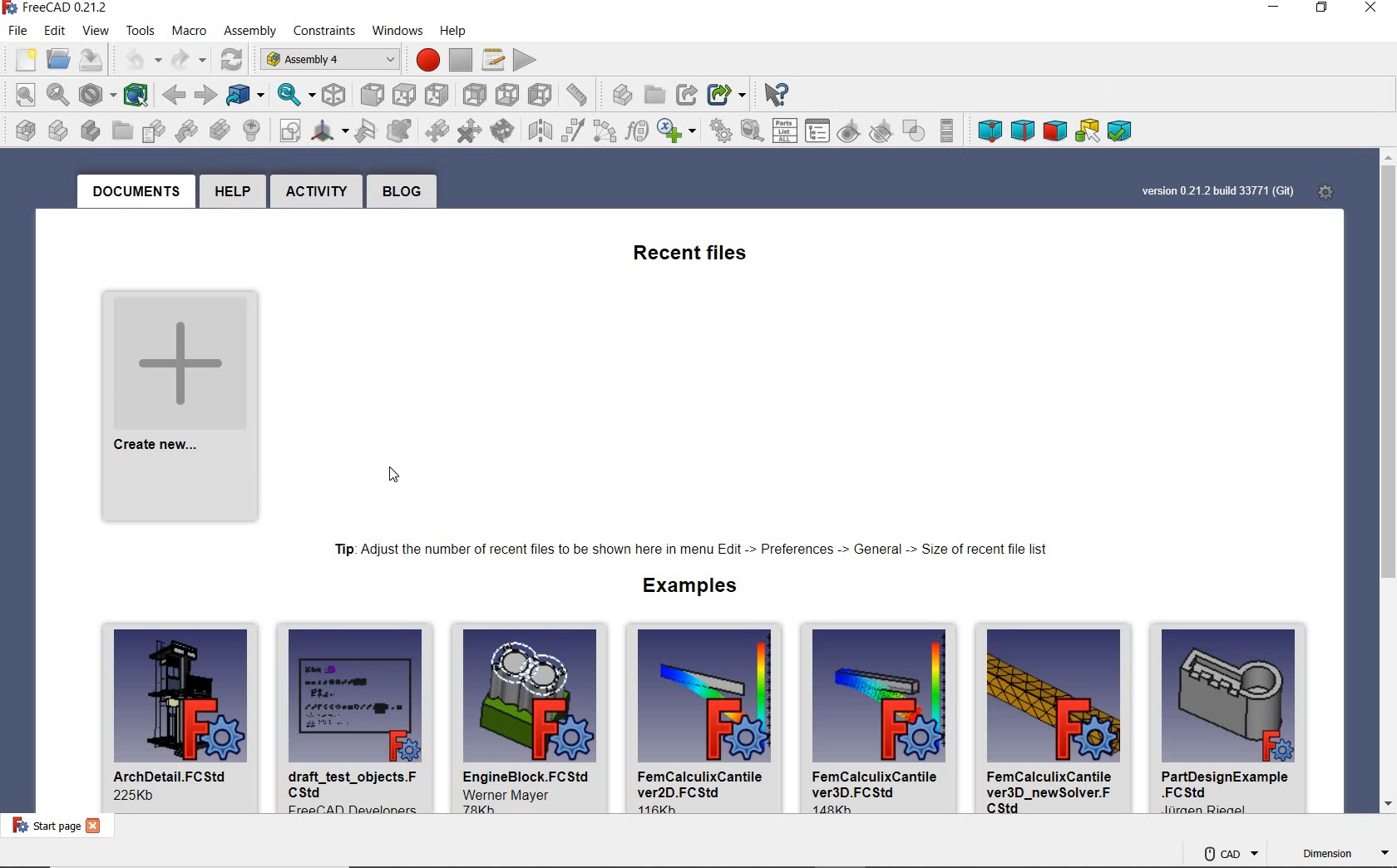  I want to click on create part, so click(618, 96).